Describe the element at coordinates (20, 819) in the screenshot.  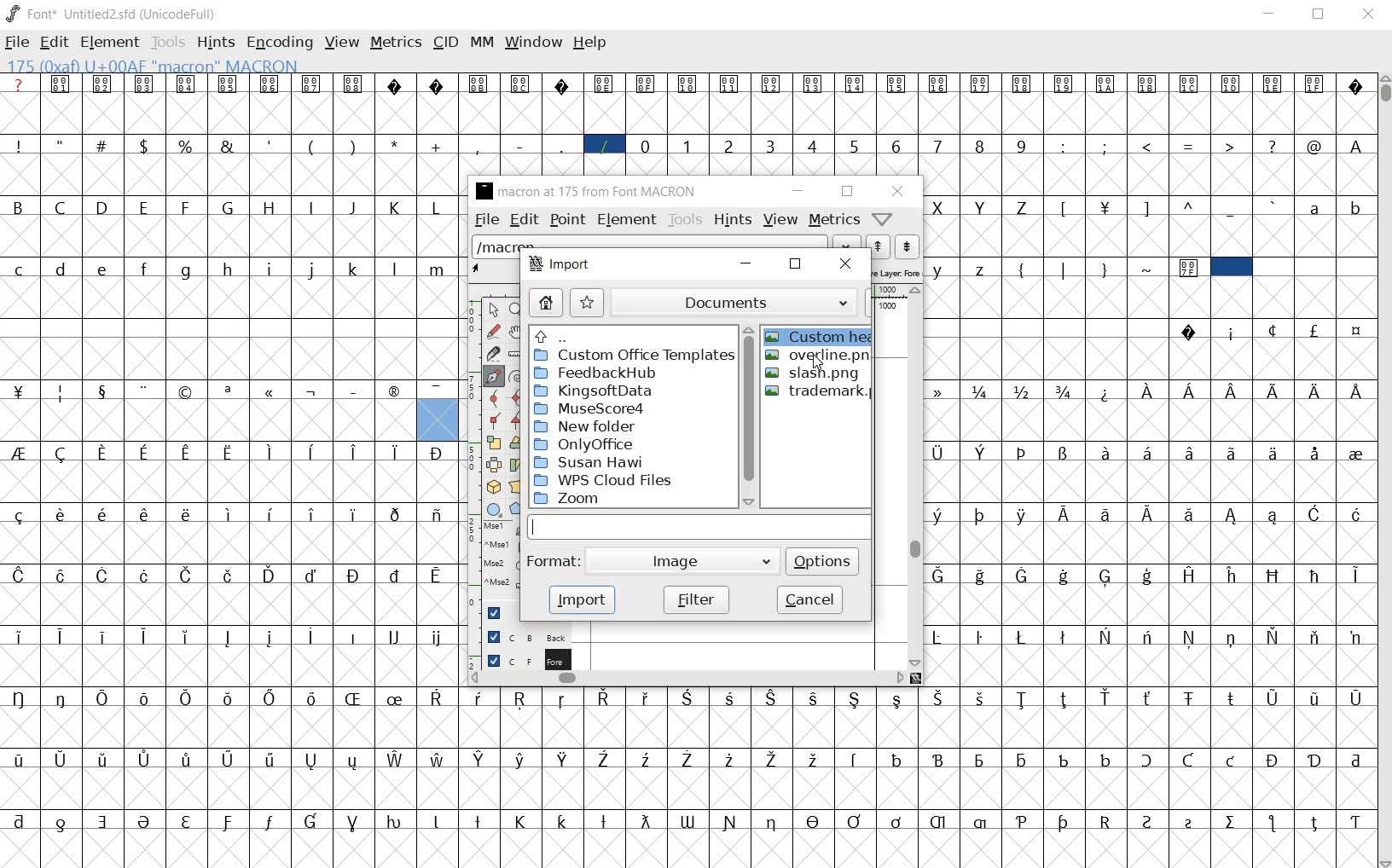
I see `Symbol` at that location.